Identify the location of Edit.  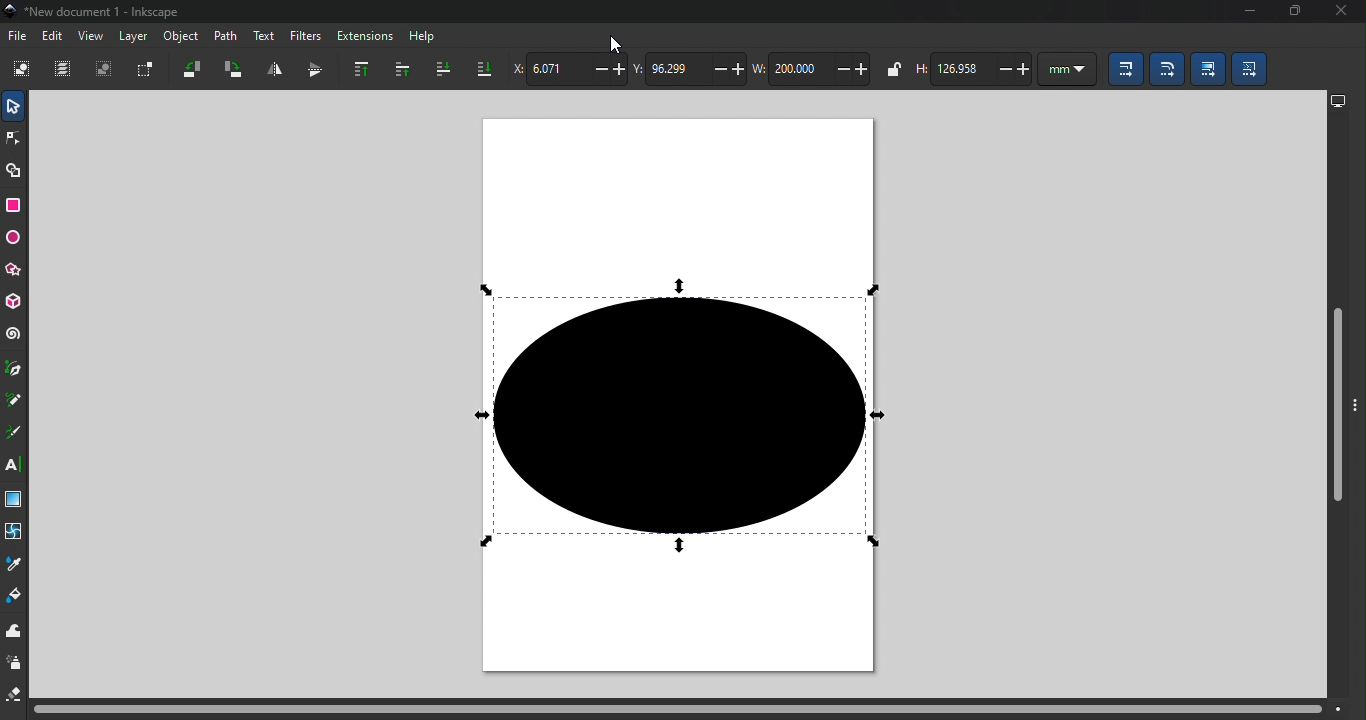
(53, 35).